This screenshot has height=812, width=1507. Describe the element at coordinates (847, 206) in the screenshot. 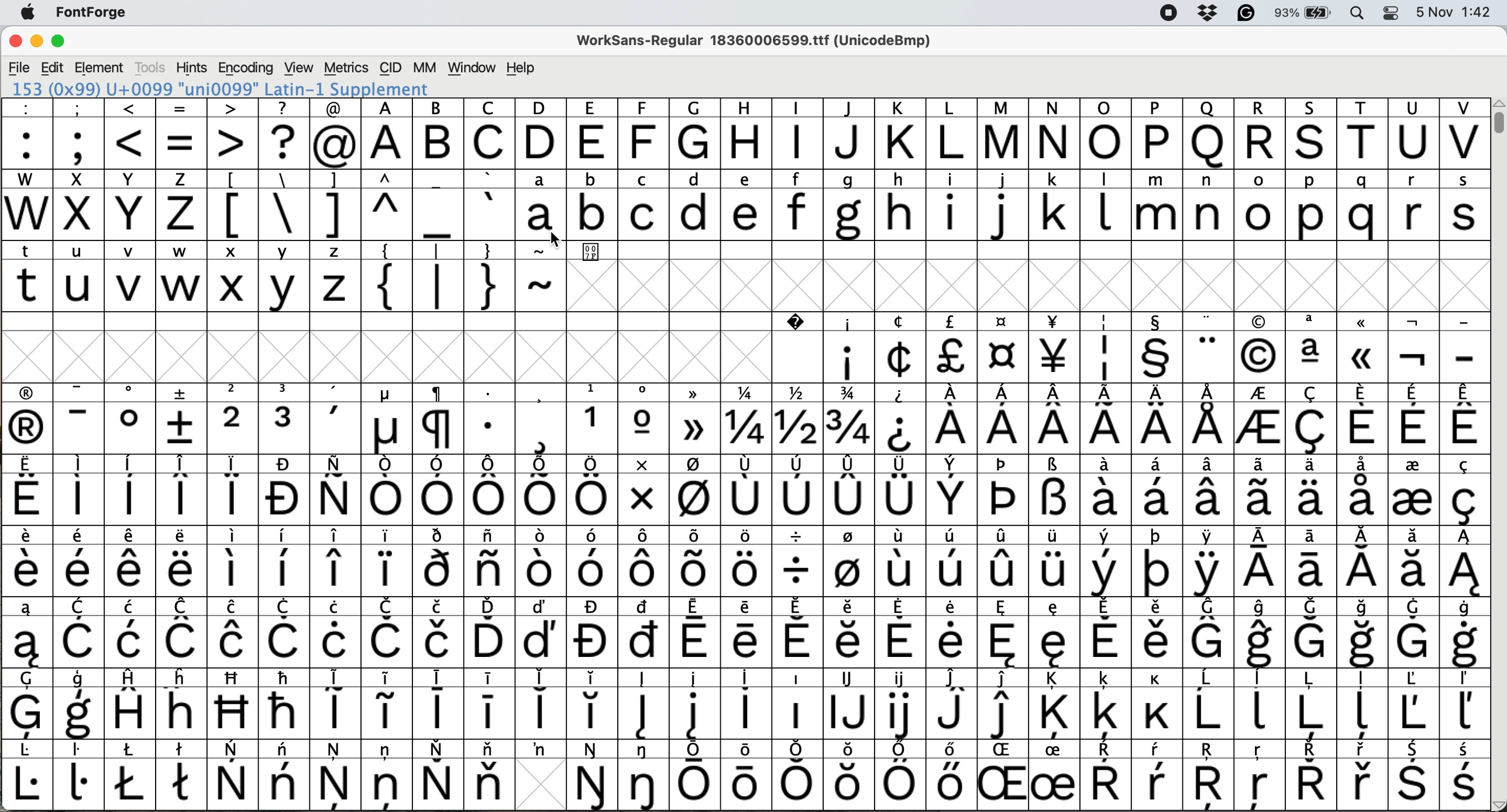

I see `g` at that location.